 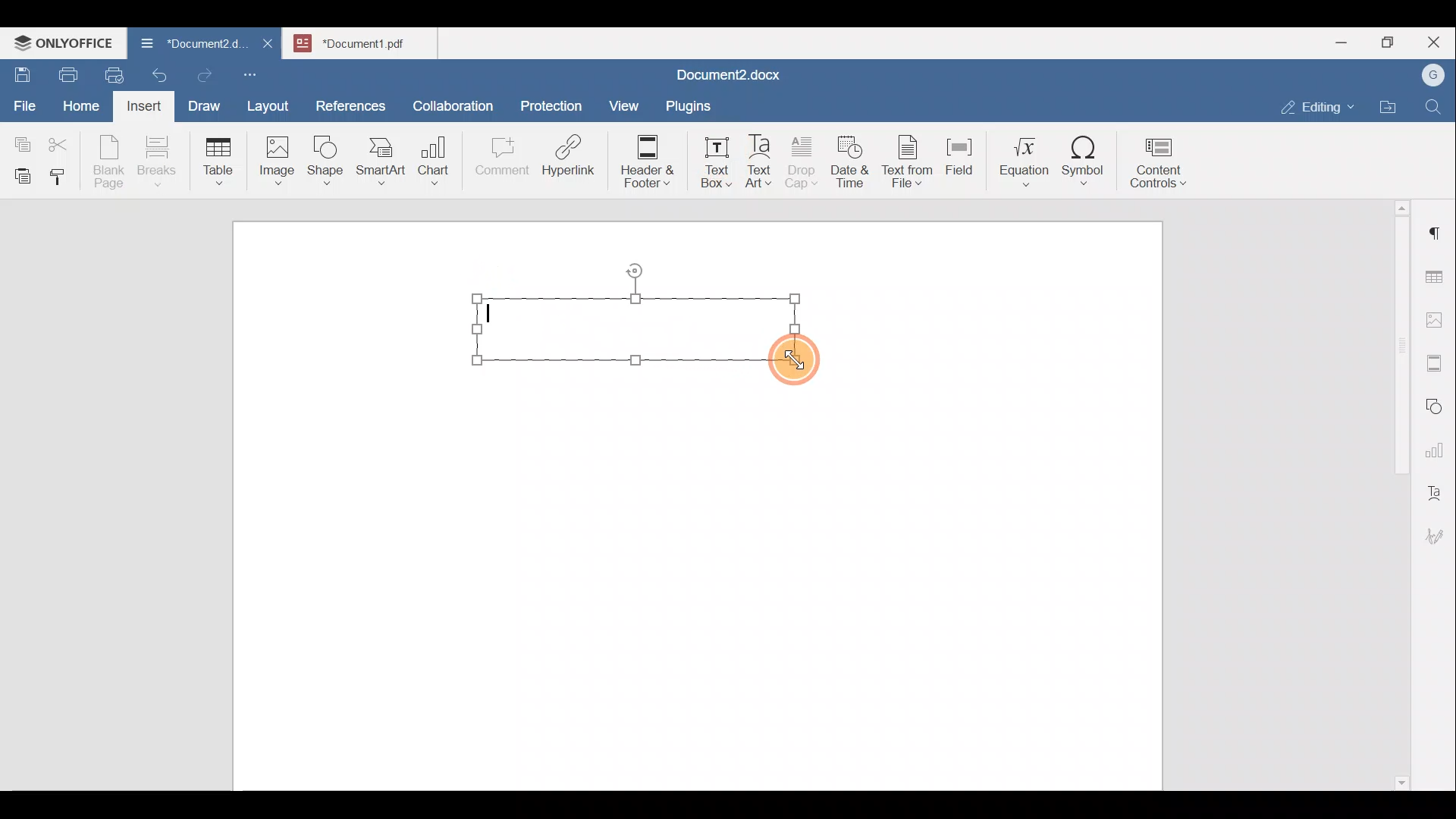 What do you see at coordinates (642, 160) in the screenshot?
I see `Header & footer` at bounding box center [642, 160].